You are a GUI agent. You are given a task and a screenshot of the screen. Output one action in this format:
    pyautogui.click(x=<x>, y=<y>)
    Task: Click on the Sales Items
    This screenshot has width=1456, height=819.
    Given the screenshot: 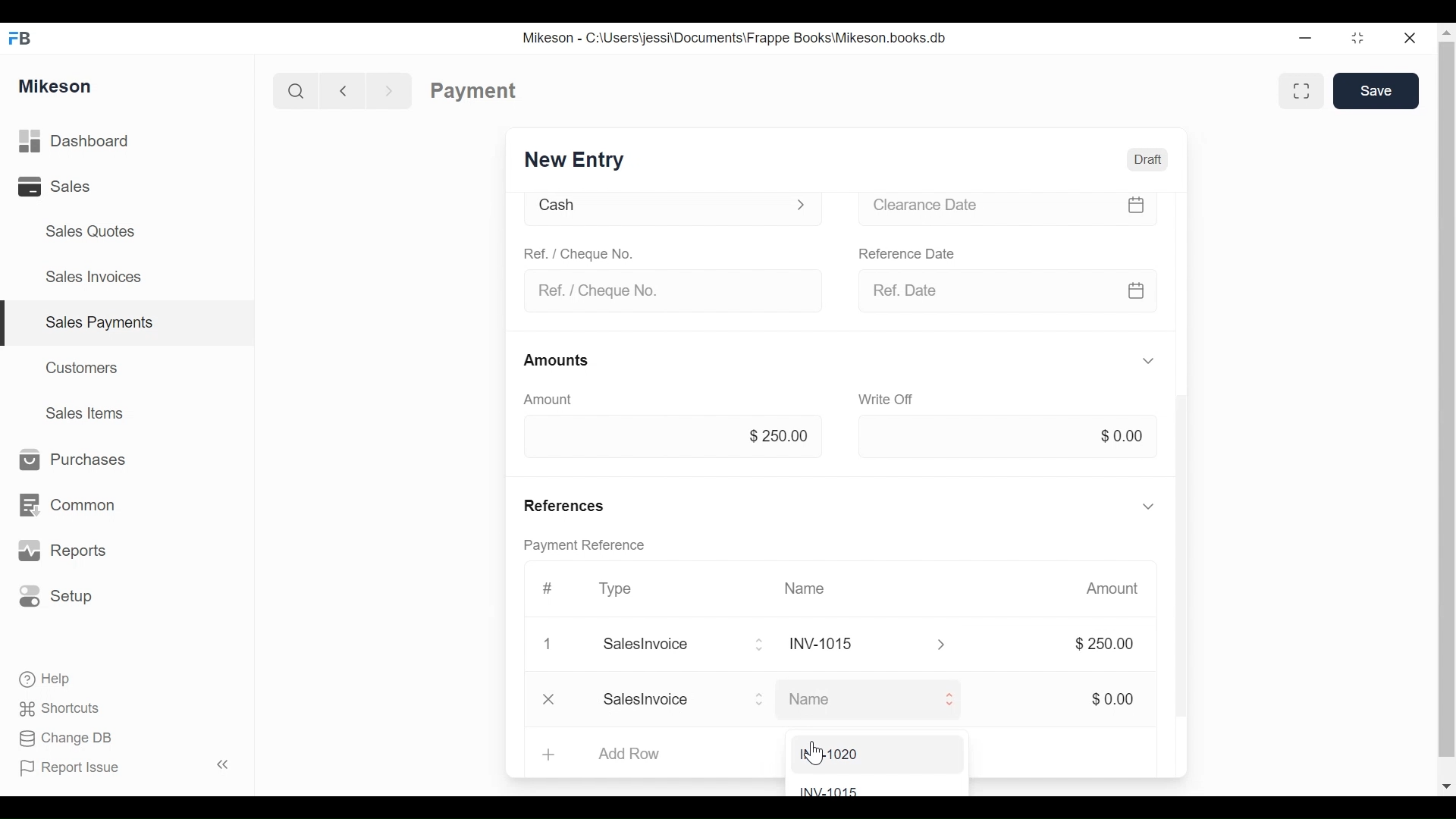 What is the action you would take?
    pyautogui.click(x=92, y=414)
    